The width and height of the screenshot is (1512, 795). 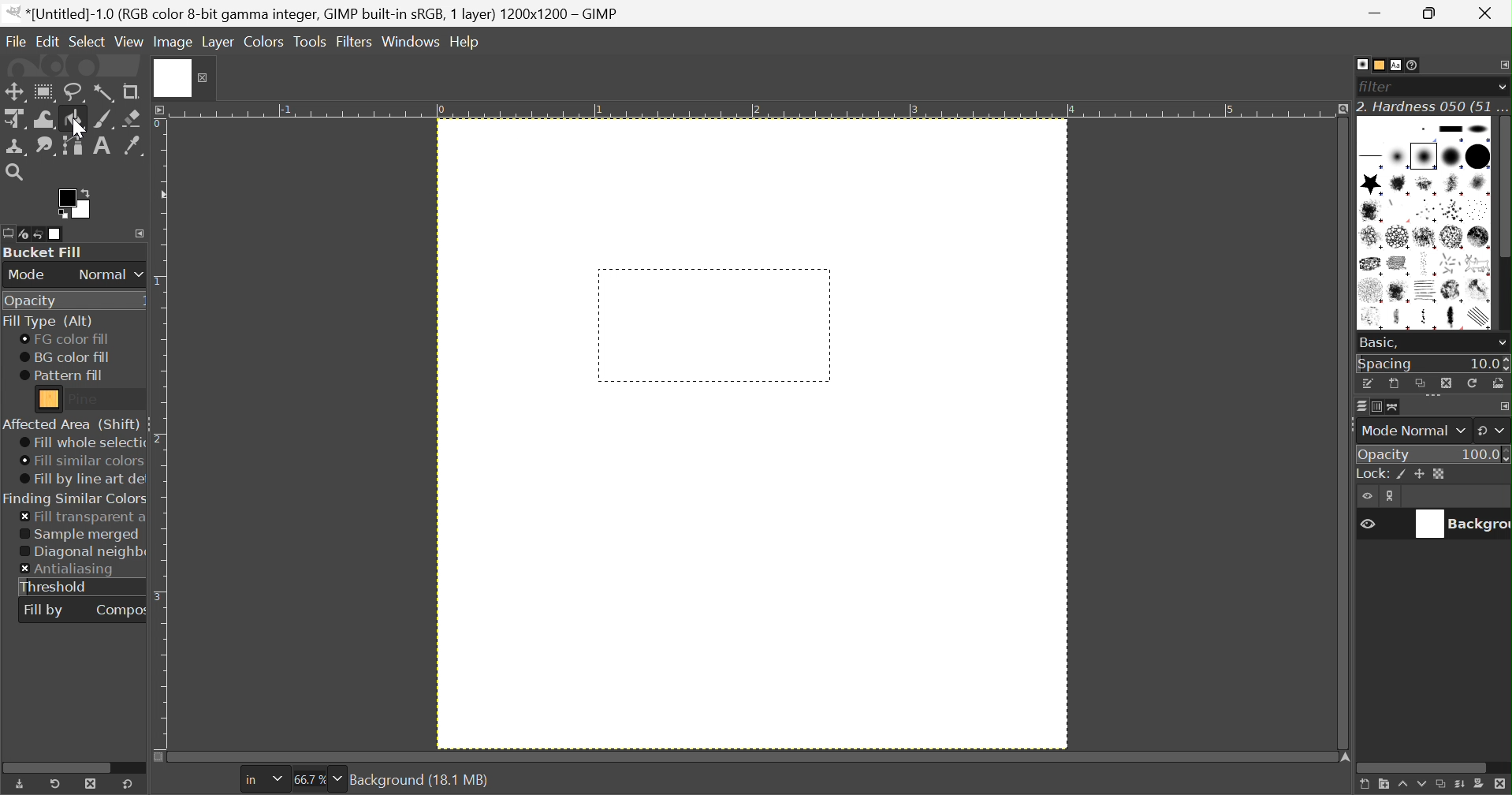 What do you see at coordinates (83, 517) in the screenshot?
I see `Fill transparent areas` at bounding box center [83, 517].